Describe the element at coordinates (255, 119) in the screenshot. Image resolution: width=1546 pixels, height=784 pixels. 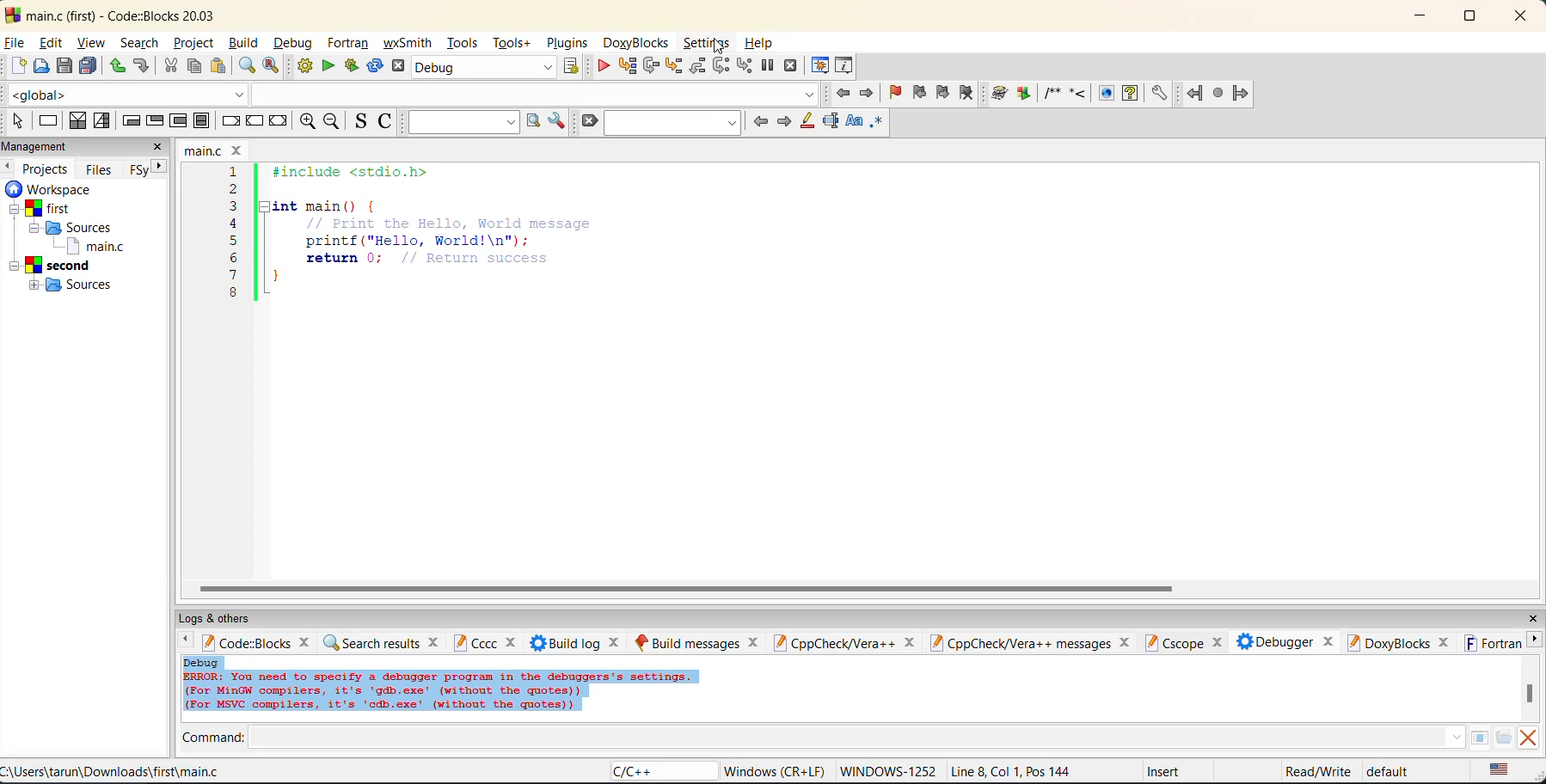
I see `continue` at that location.